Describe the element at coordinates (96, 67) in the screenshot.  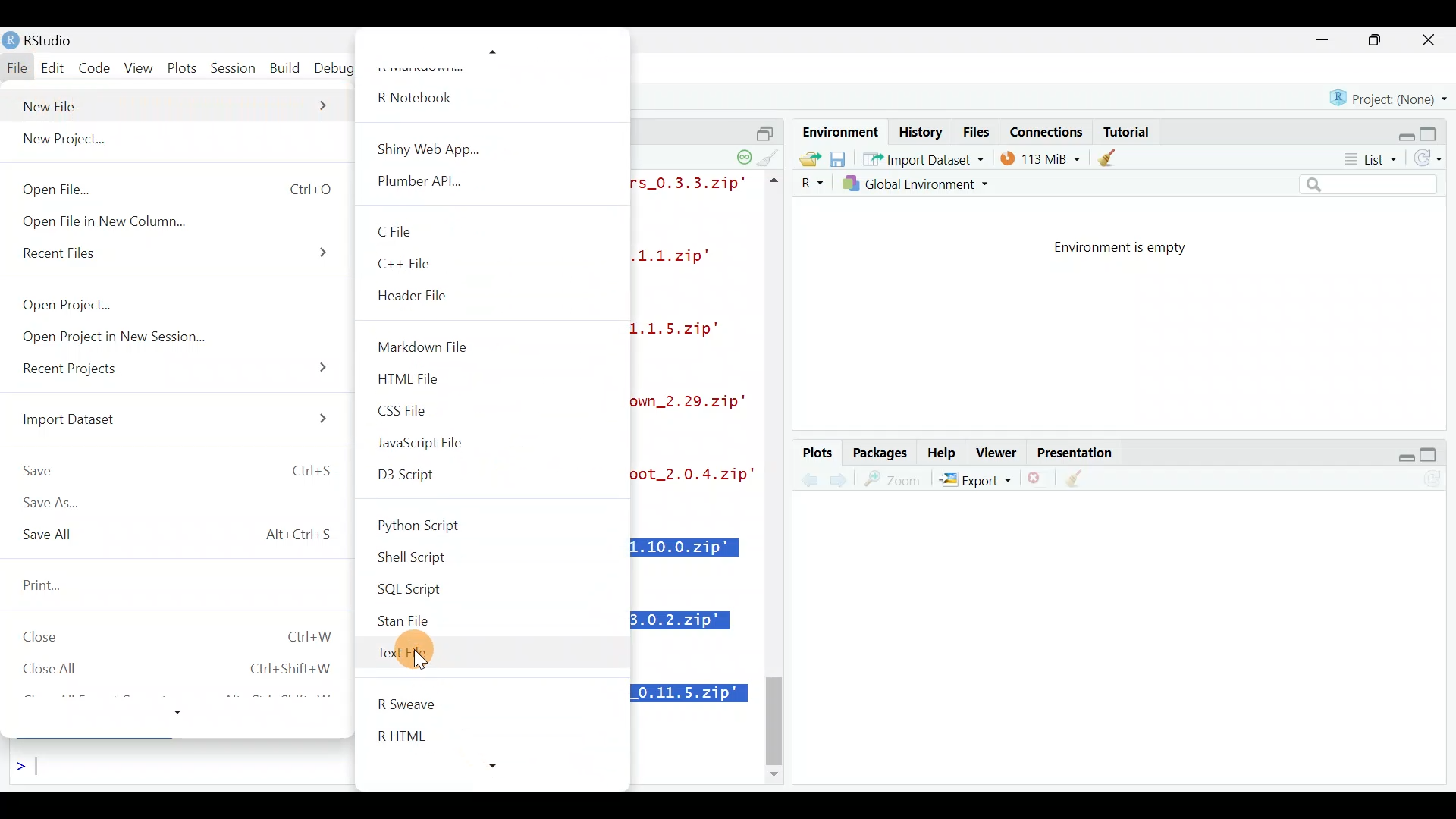
I see `Code` at that location.